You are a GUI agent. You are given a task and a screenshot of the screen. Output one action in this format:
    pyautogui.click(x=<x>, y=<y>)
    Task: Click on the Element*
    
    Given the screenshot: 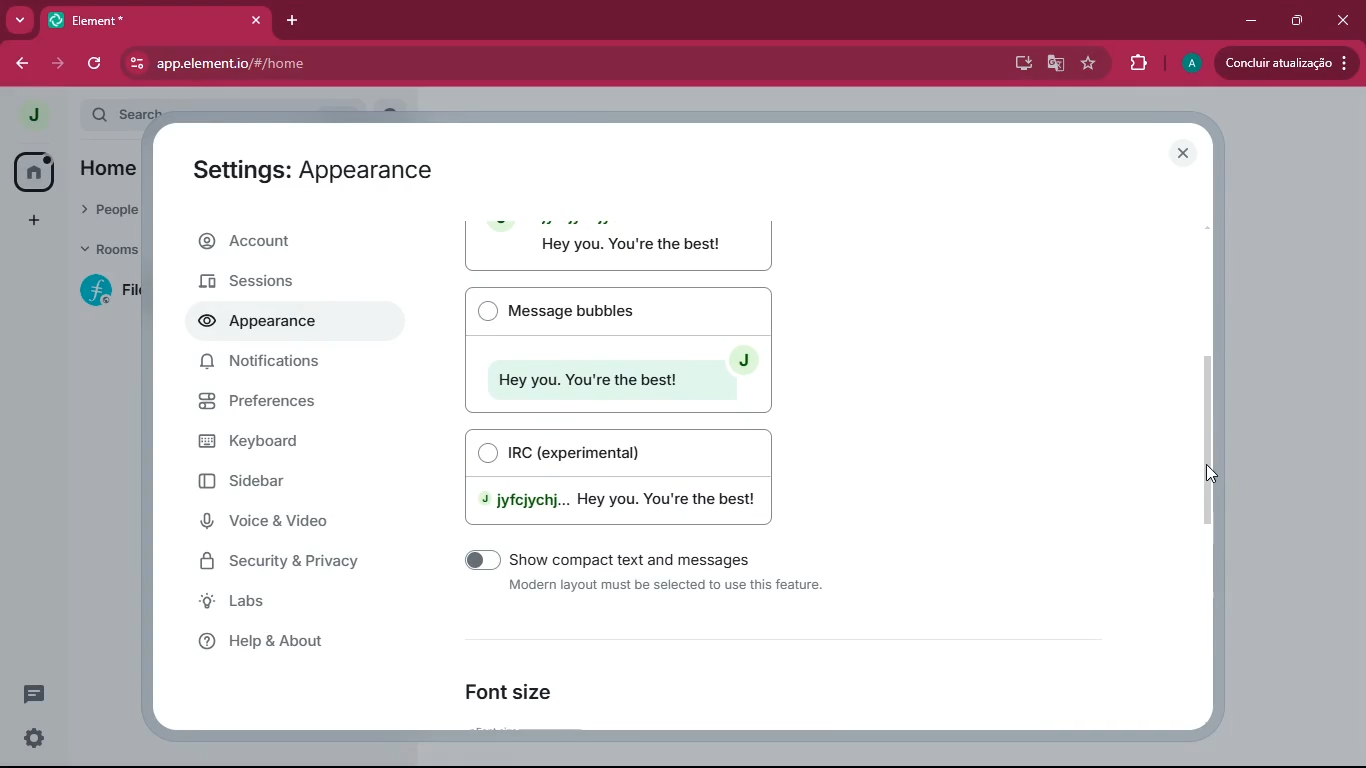 What is the action you would take?
    pyautogui.click(x=140, y=19)
    